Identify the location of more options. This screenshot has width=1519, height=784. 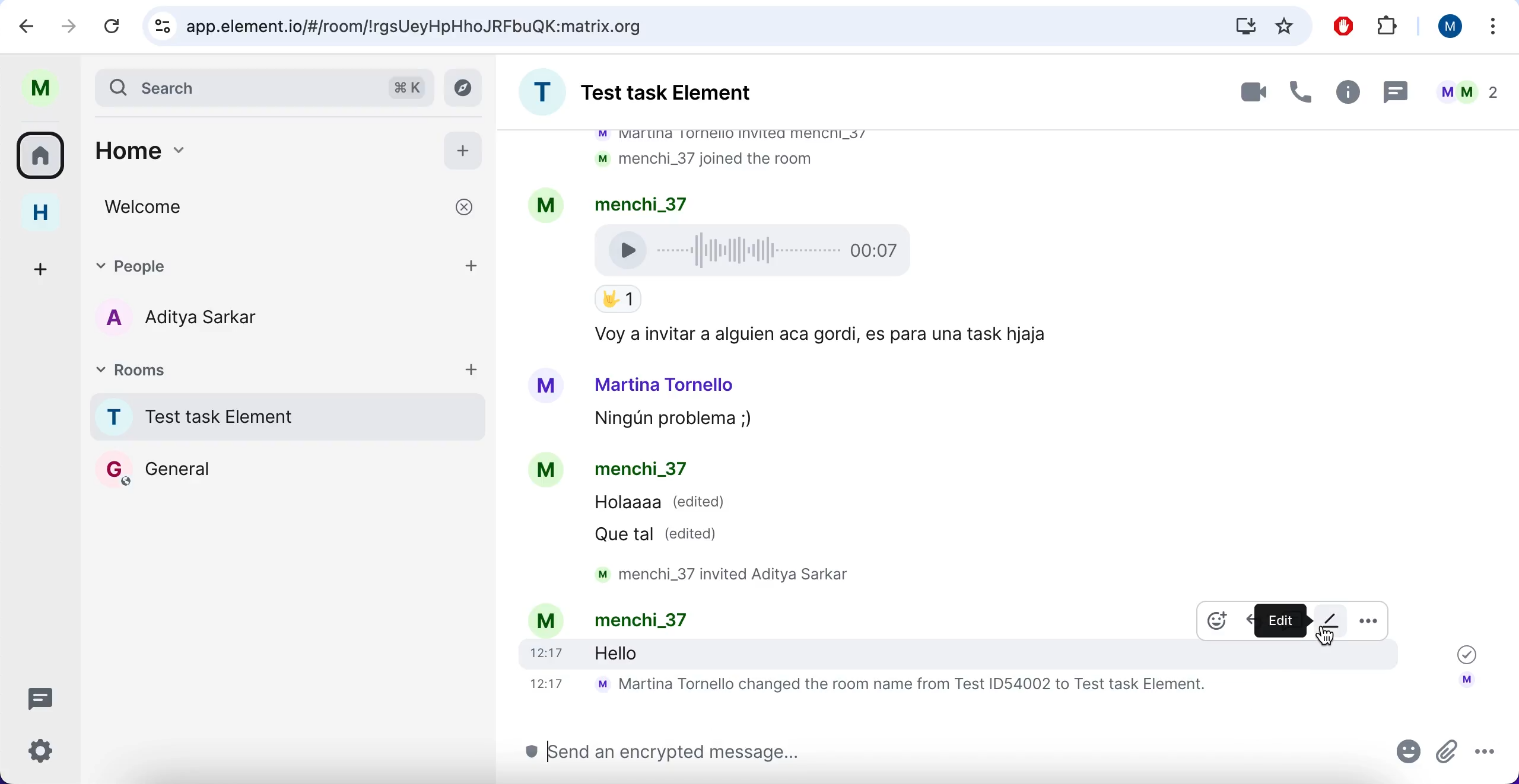
(1486, 756).